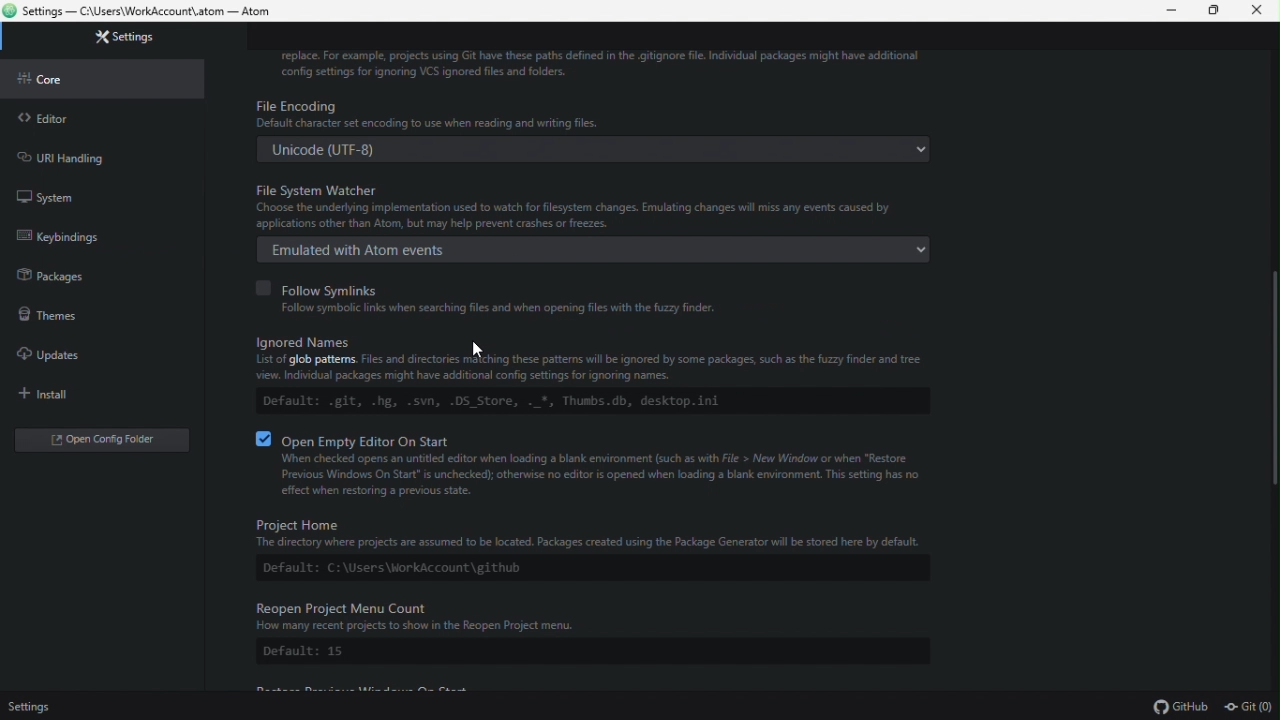 This screenshot has width=1280, height=720. Describe the element at coordinates (1183, 708) in the screenshot. I see `github` at that location.